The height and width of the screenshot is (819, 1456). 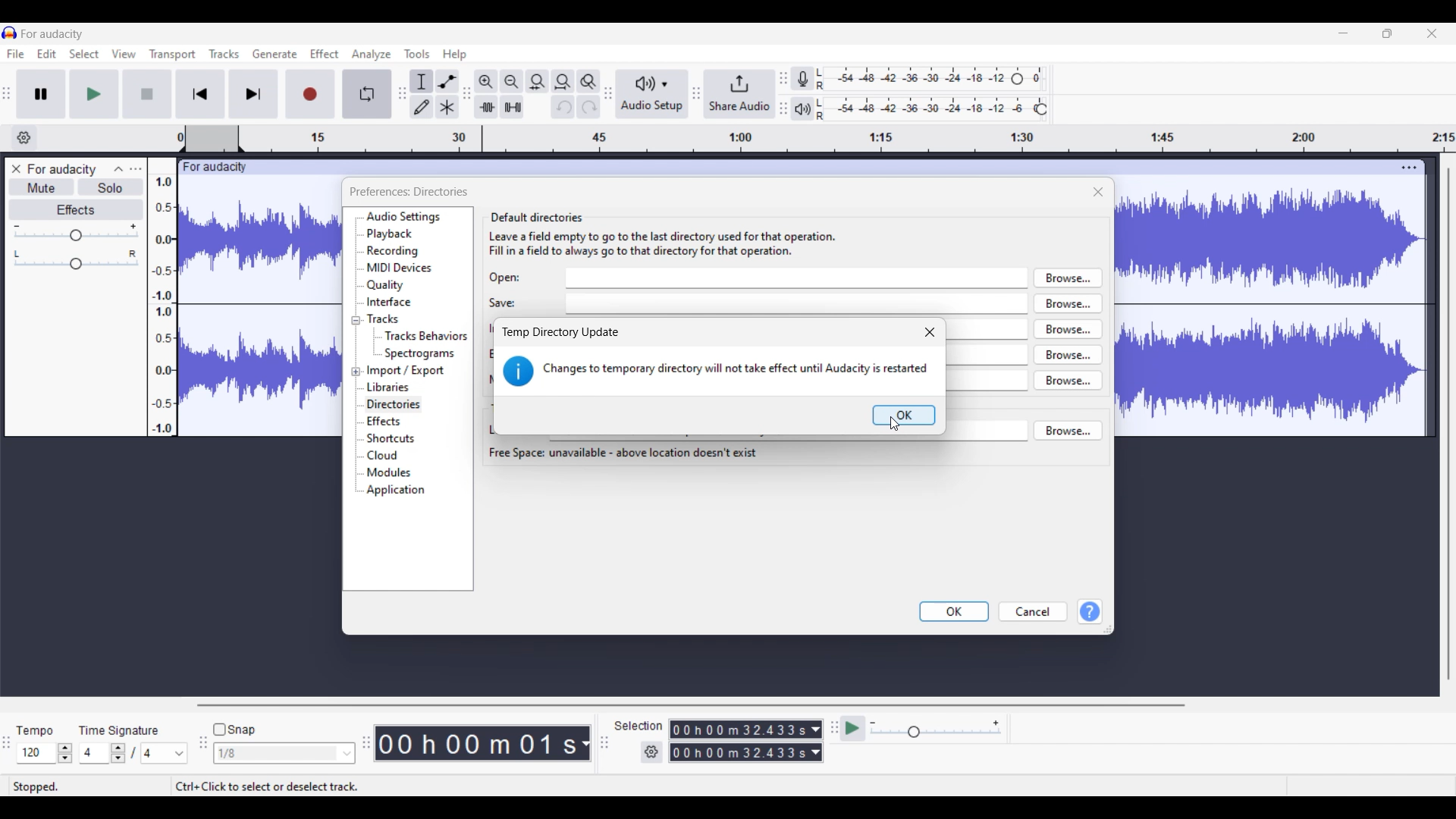 What do you see at coordinates (16, 54) in the screenshot?
I see `File menu` at bounding box center [16, 54].